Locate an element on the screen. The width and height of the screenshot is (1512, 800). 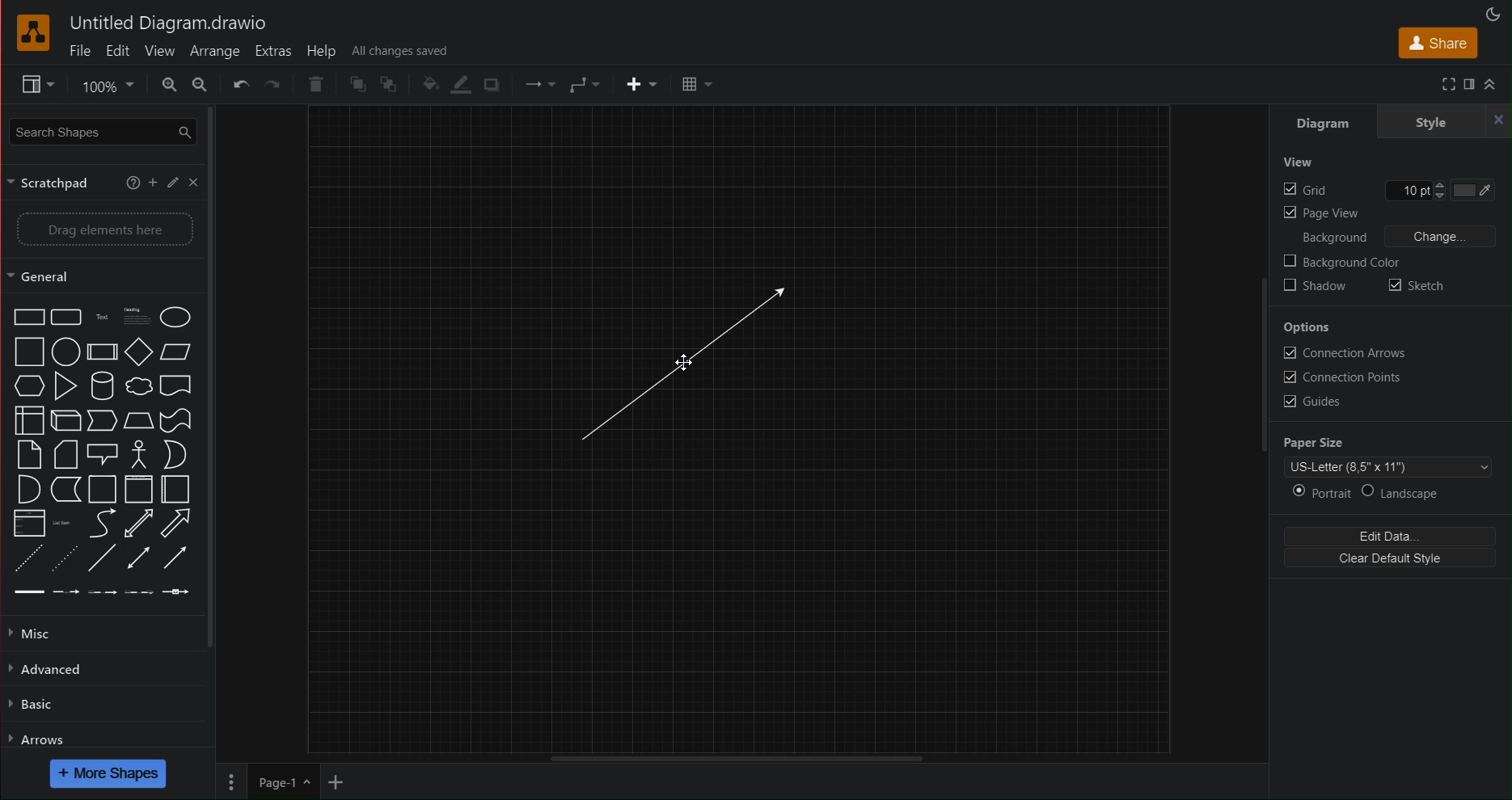
Background Color is located at coordinates (1341, 263).